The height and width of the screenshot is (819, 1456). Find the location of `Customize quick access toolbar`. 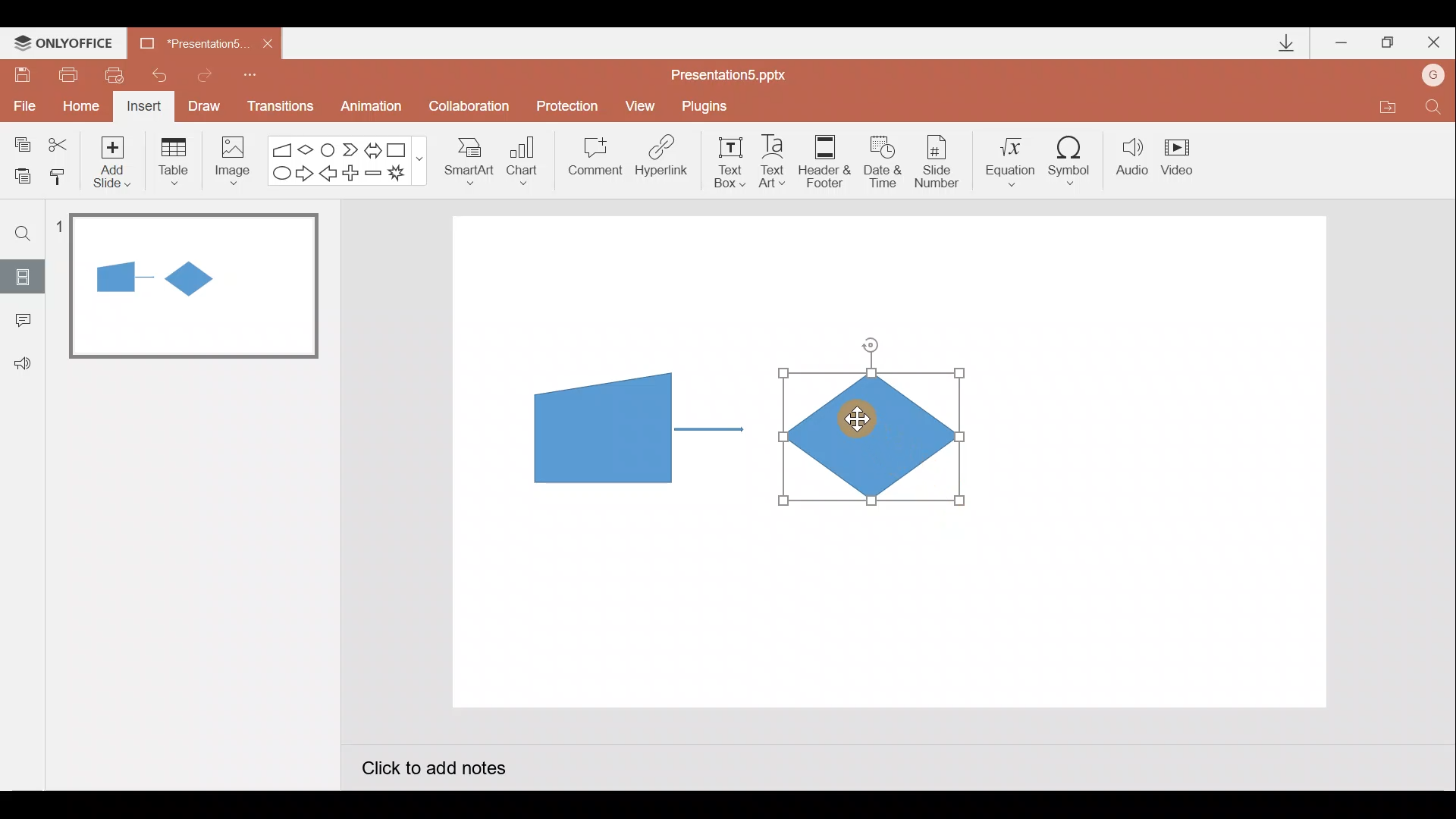

Customize quick access toolbar is located at coordinates (250, 73).